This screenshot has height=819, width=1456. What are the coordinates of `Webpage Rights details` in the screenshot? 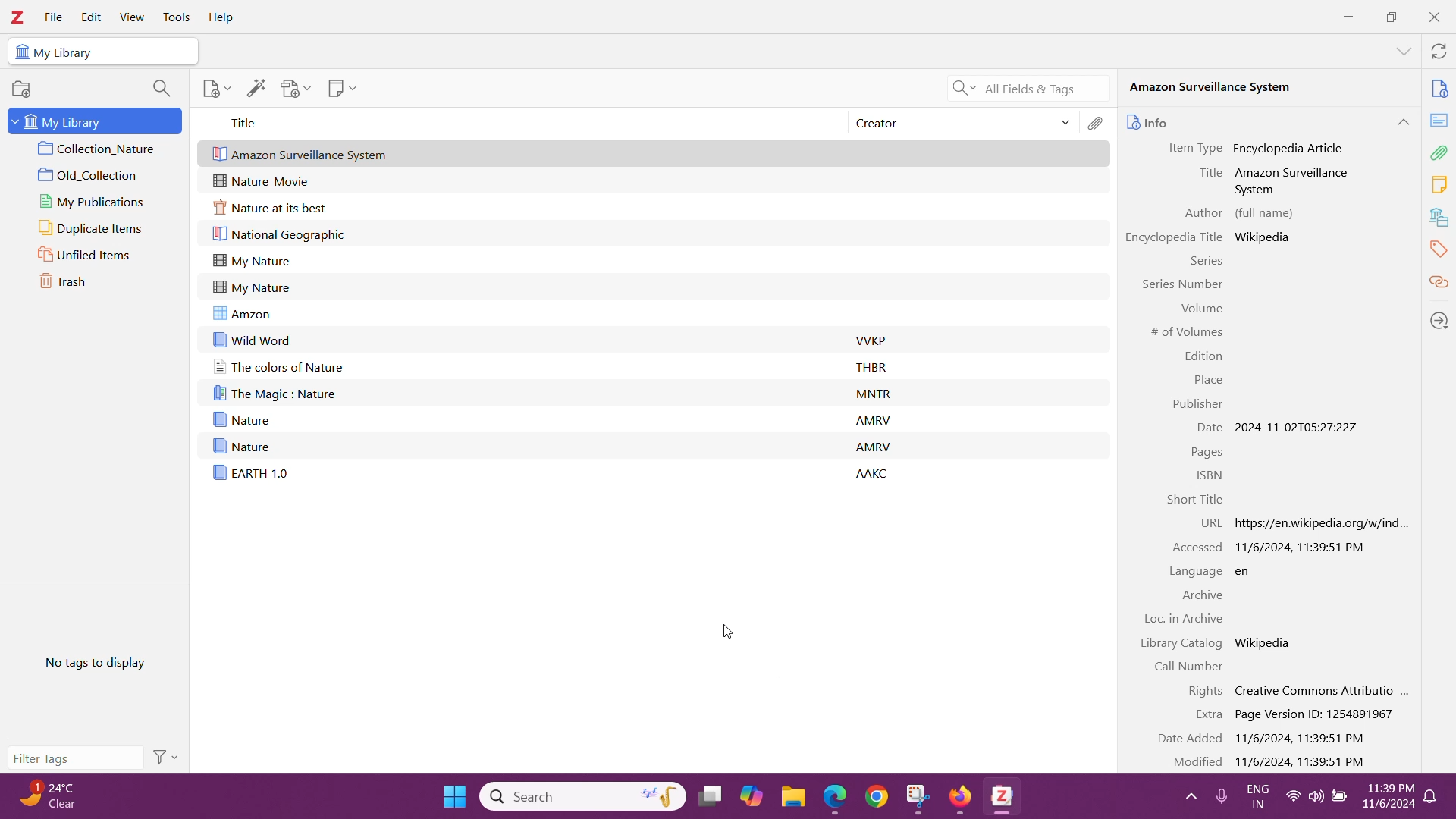 It's located at (1321, 691).